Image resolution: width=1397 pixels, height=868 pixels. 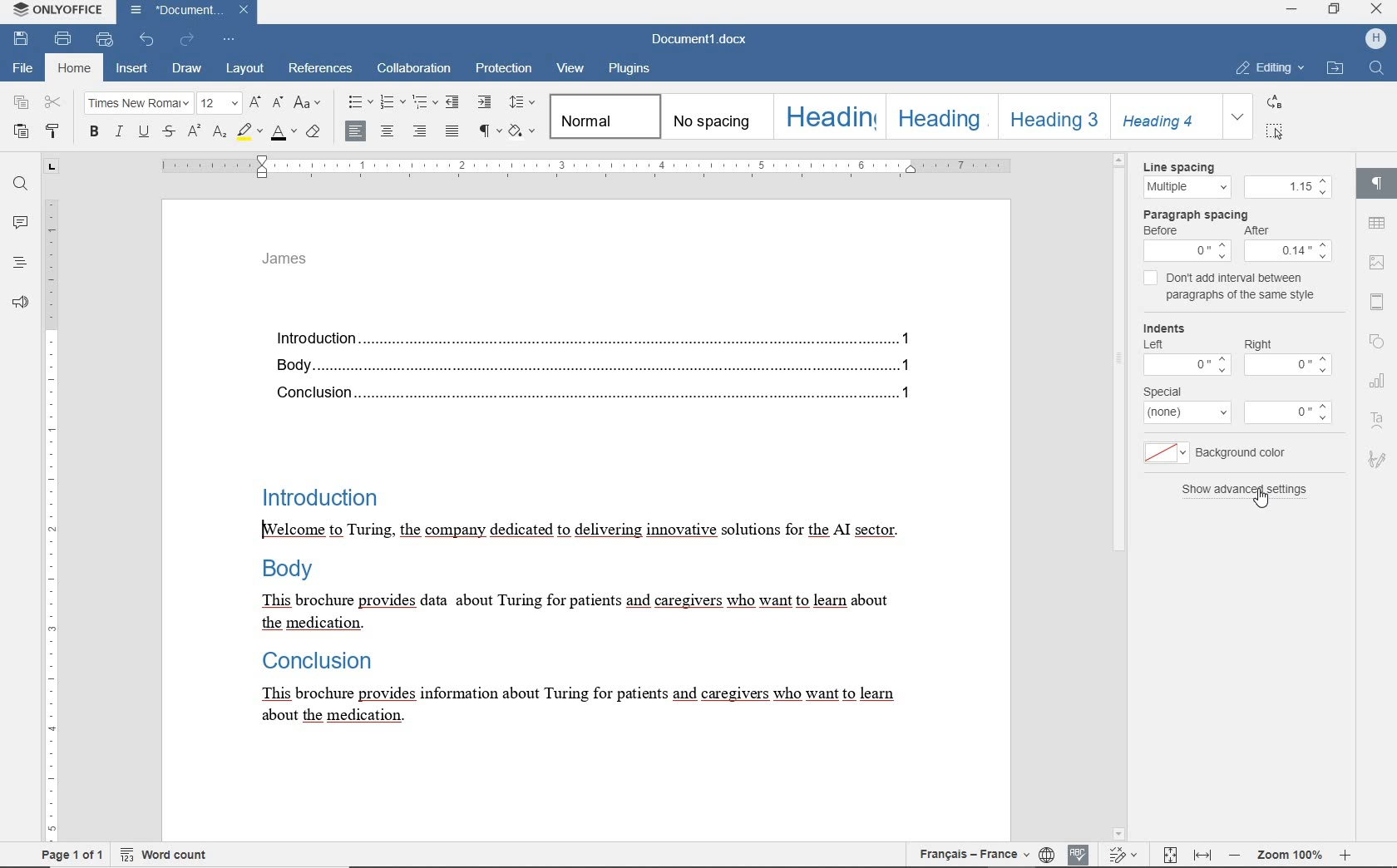 I want to click on italic, so click(x=119, y=133).